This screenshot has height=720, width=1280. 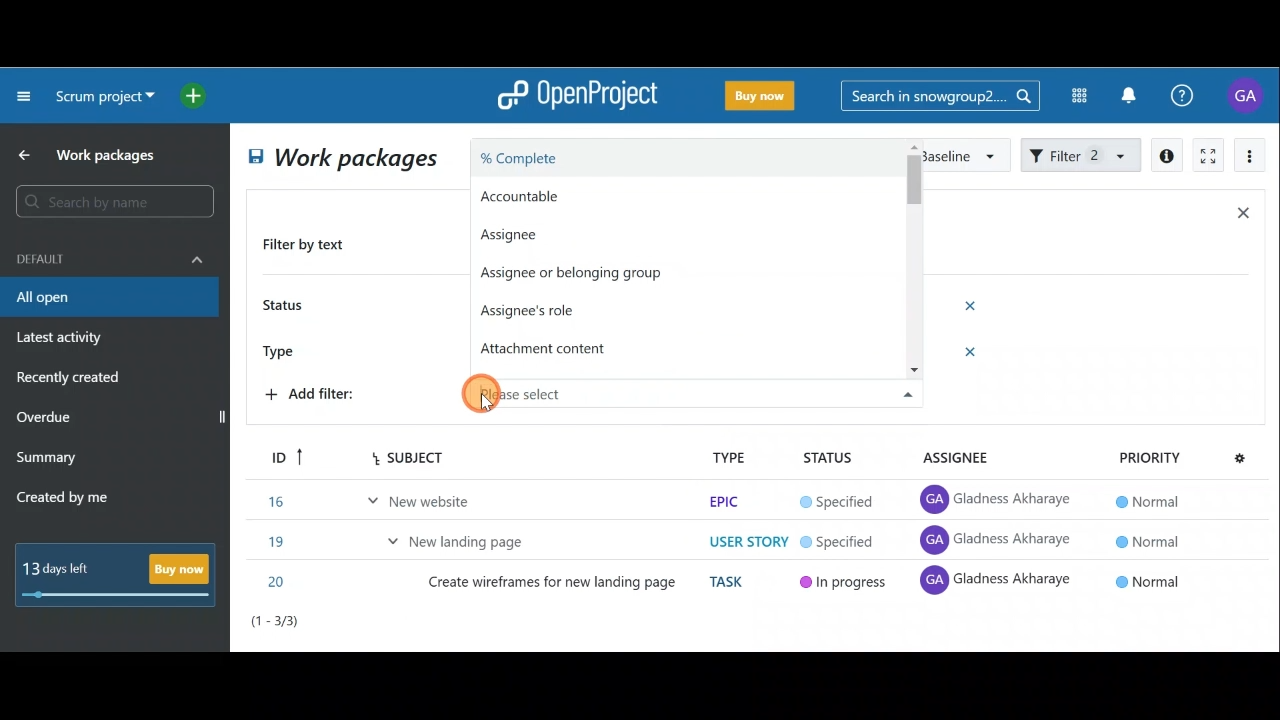 What do you see at coordinates (1082, 153) in the screenshot?
I see `Filter` at bounding box center [1082, 153].